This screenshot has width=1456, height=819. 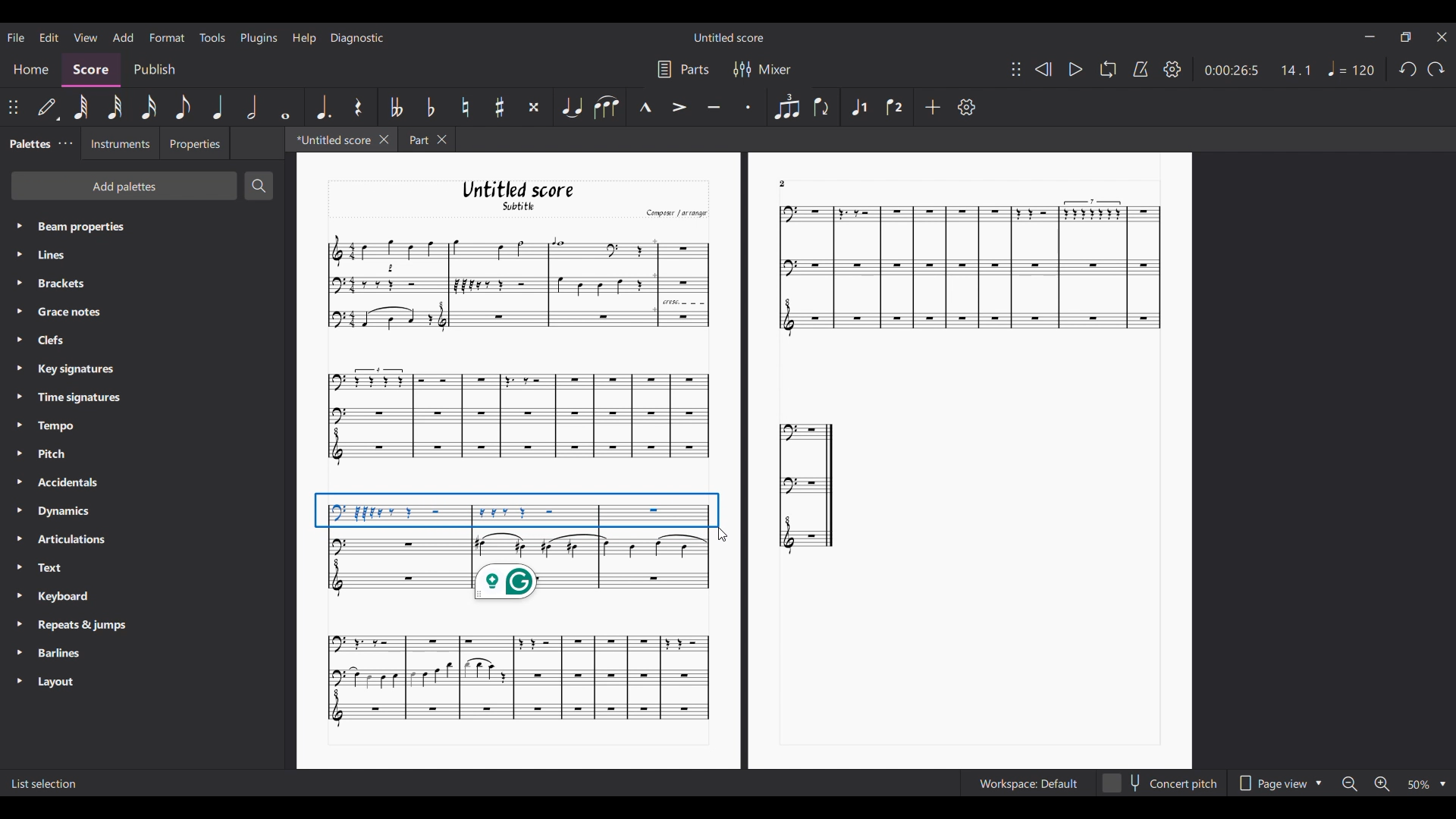 I want to click on > Layout, so click(x=65, y=682).